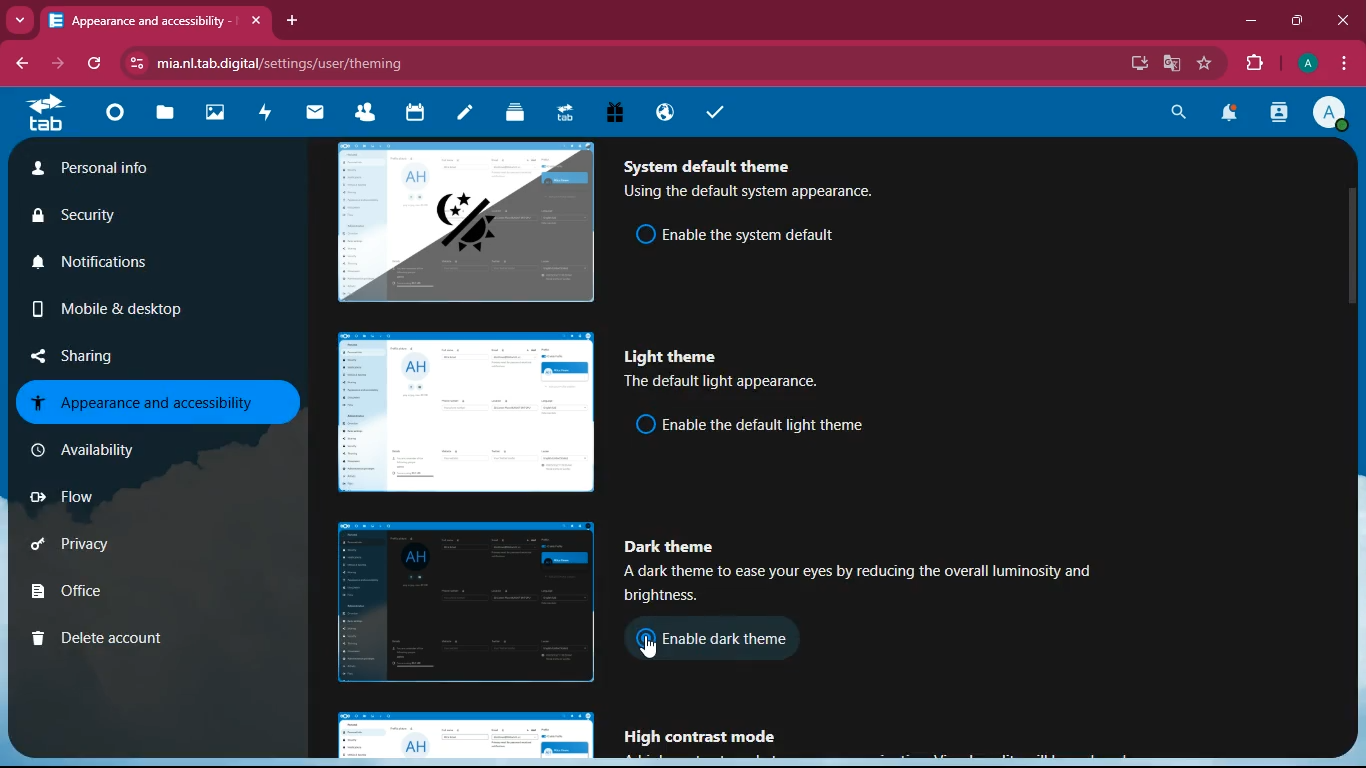 The image size is (1366, 768). I want to click on files, so click(167, 116).